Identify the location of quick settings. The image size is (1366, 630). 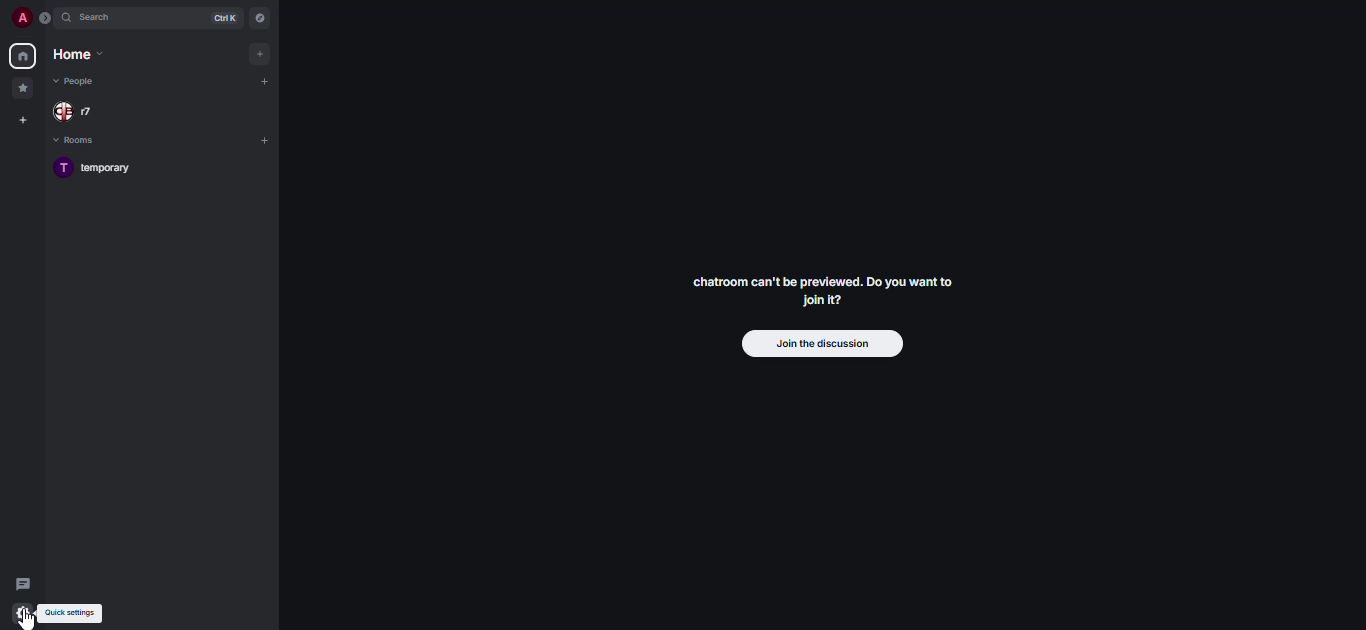
(26, 612).